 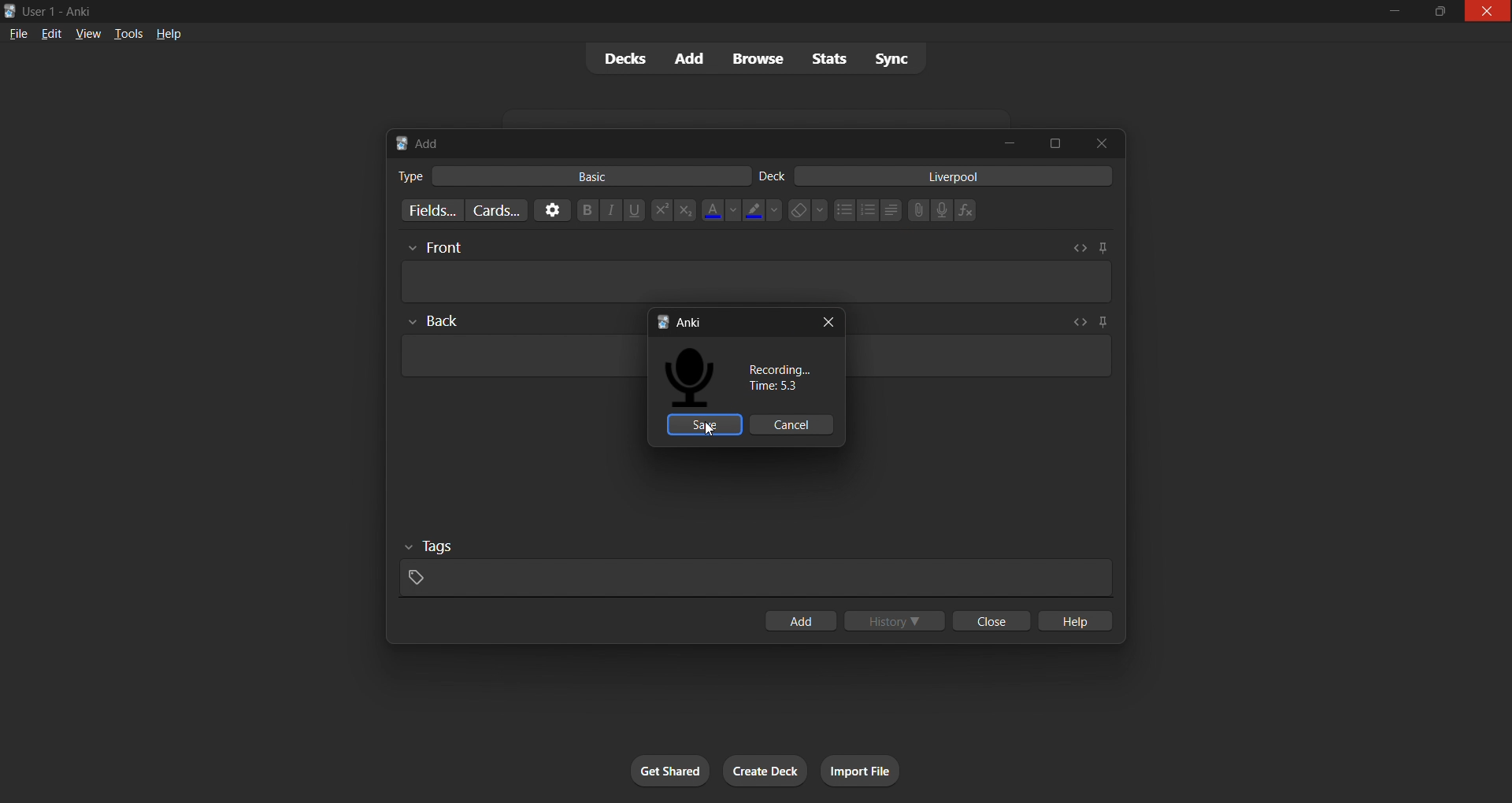 I want to click on sync, so click(x=894, y=59).